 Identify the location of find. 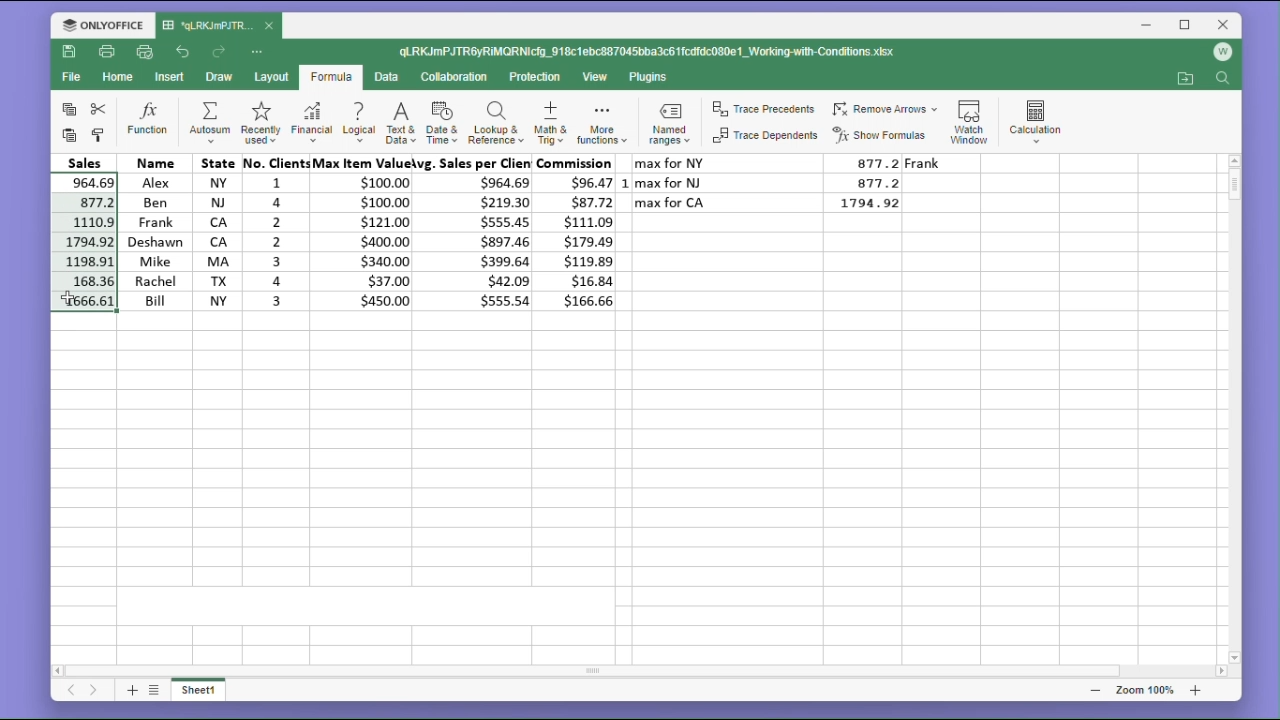
(1225, 80).